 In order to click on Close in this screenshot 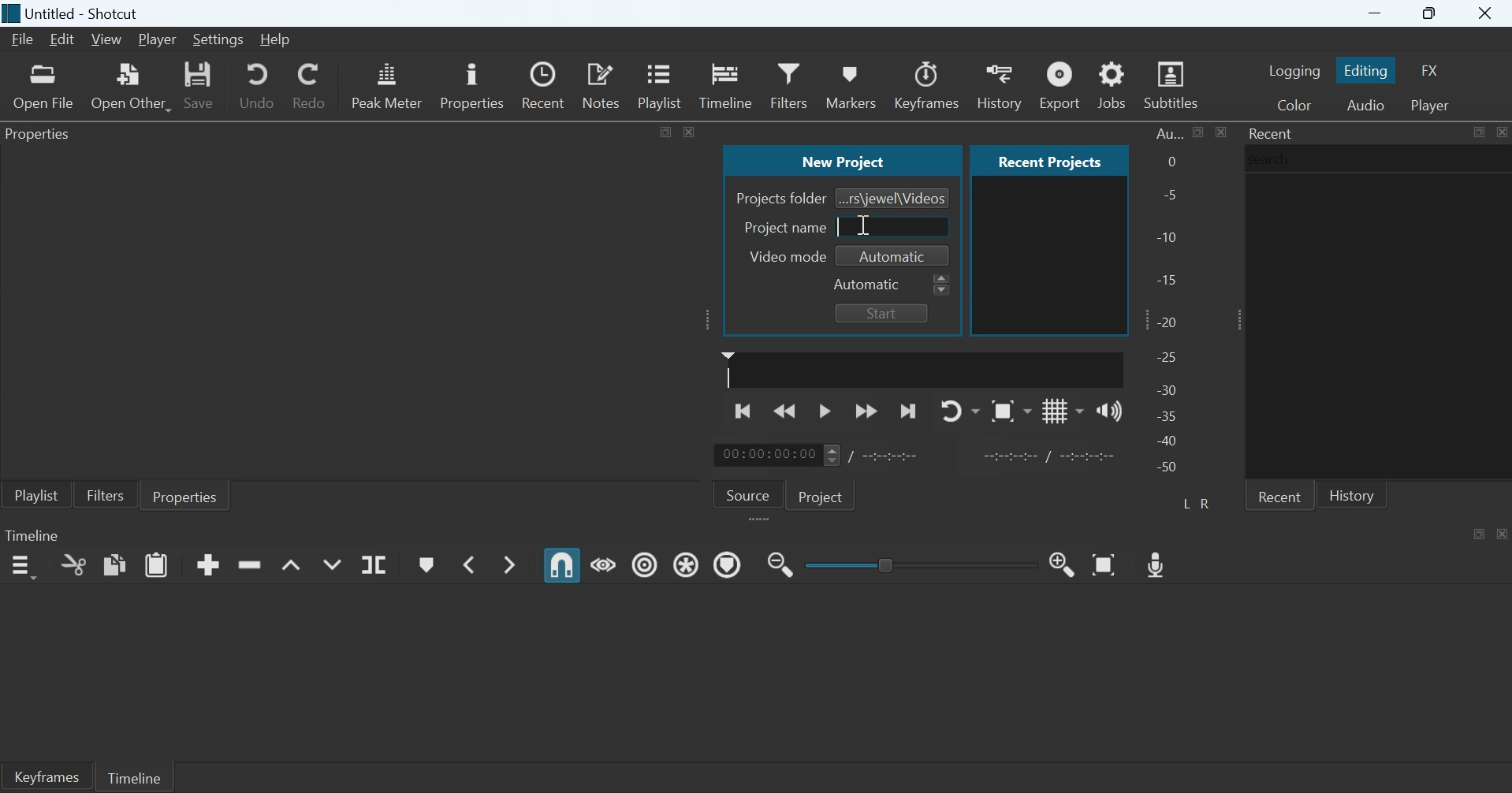, I will do `click(1503, 533)`.